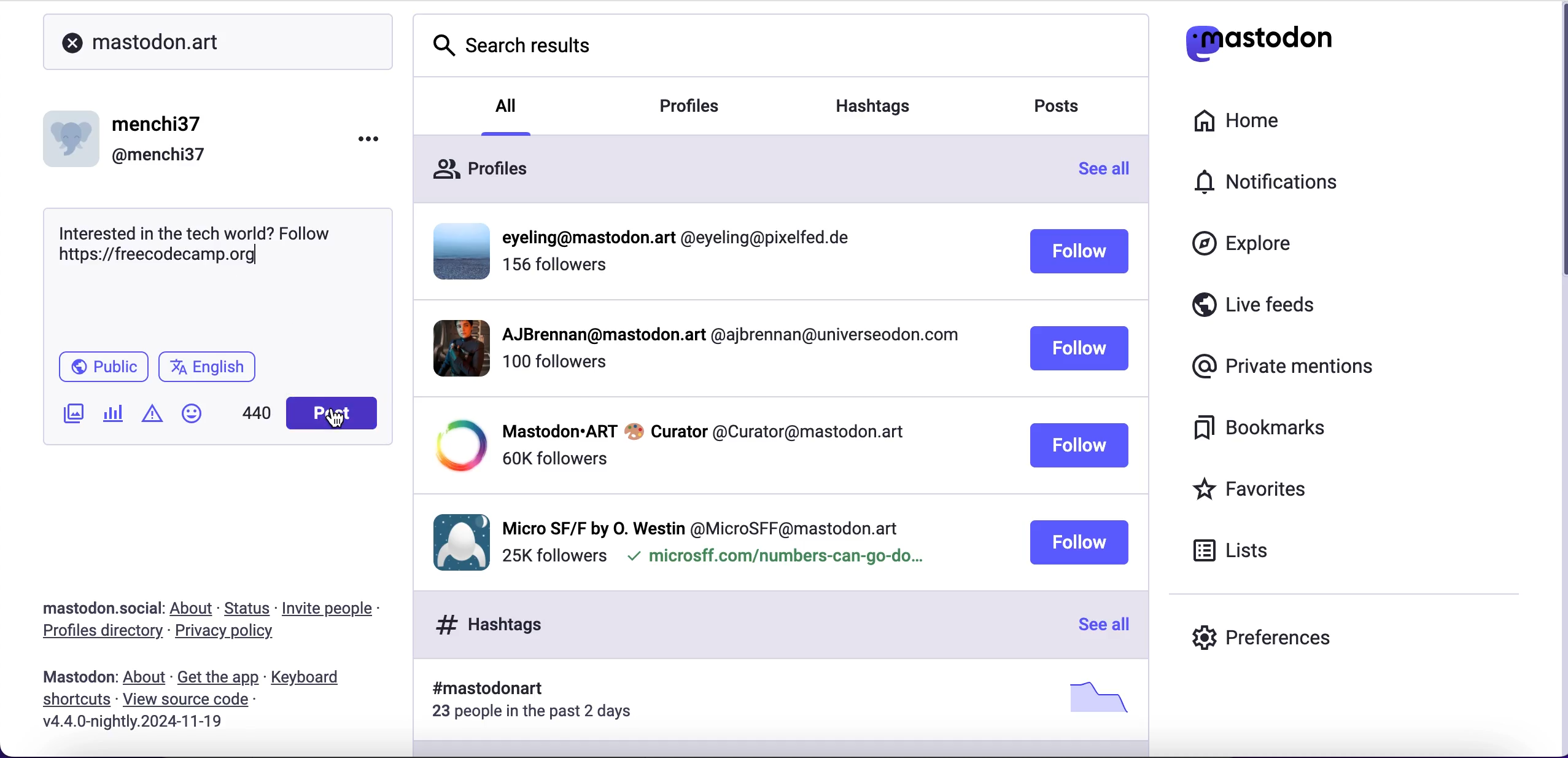 Image resolution: width=1568 pixels, height=758 pixels. Describe the element at coordinates (1283, 365) in the screenshot. I see `private mentions` at that location.